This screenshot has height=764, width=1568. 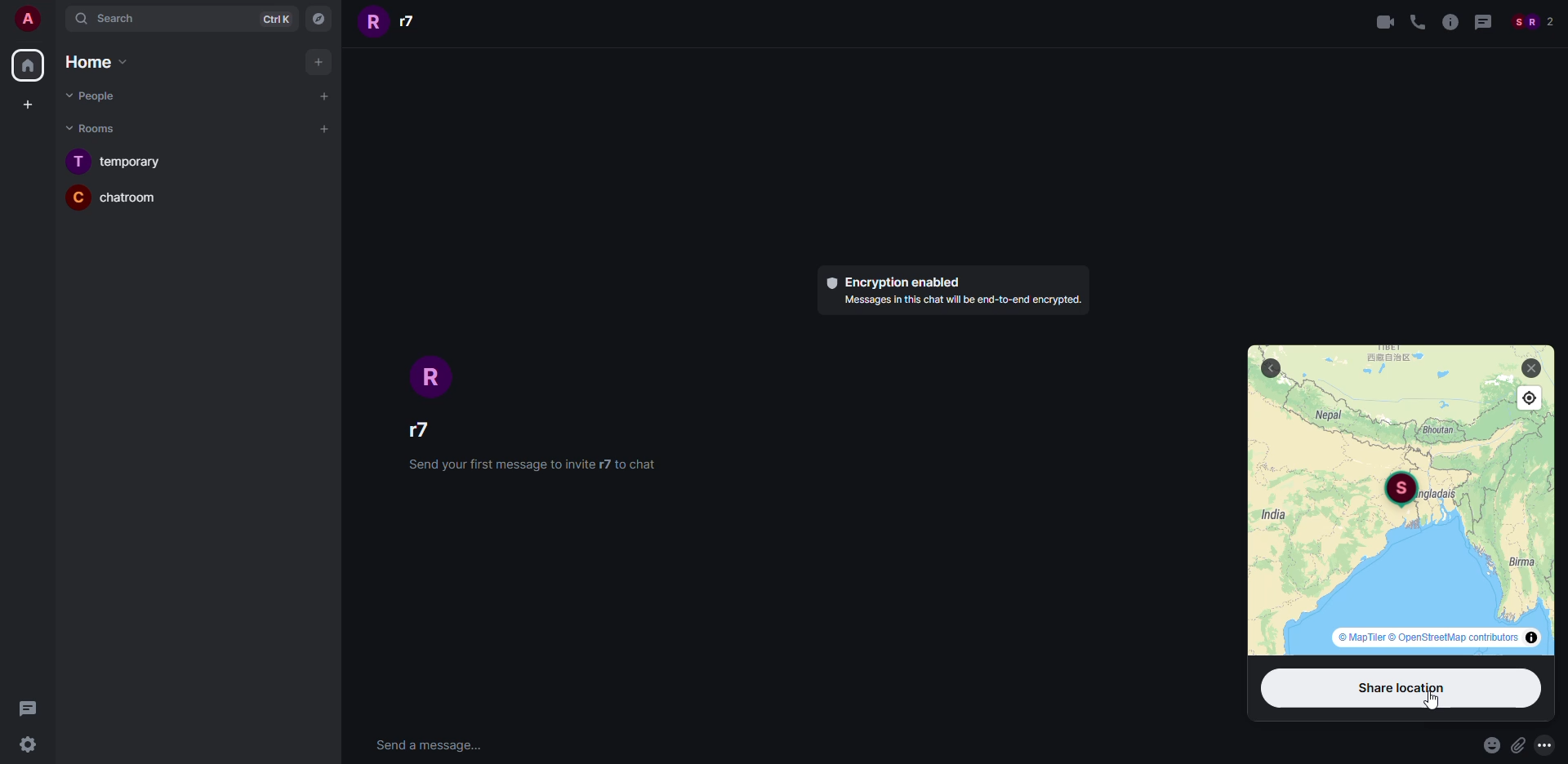 I want to click on cursor, so click(x=1430, y=700).